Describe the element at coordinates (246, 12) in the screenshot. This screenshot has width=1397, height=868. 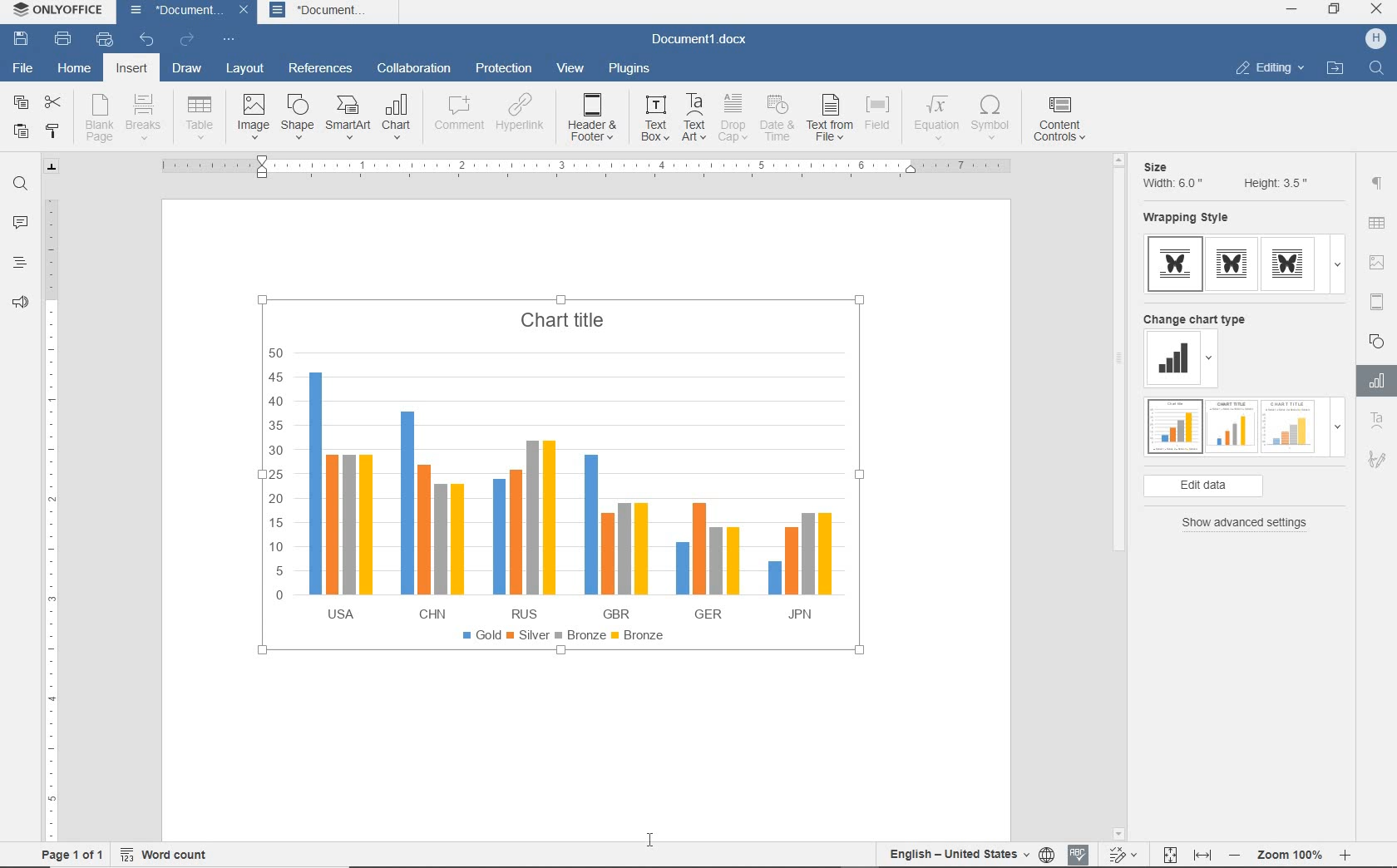
I see `close` at that location.